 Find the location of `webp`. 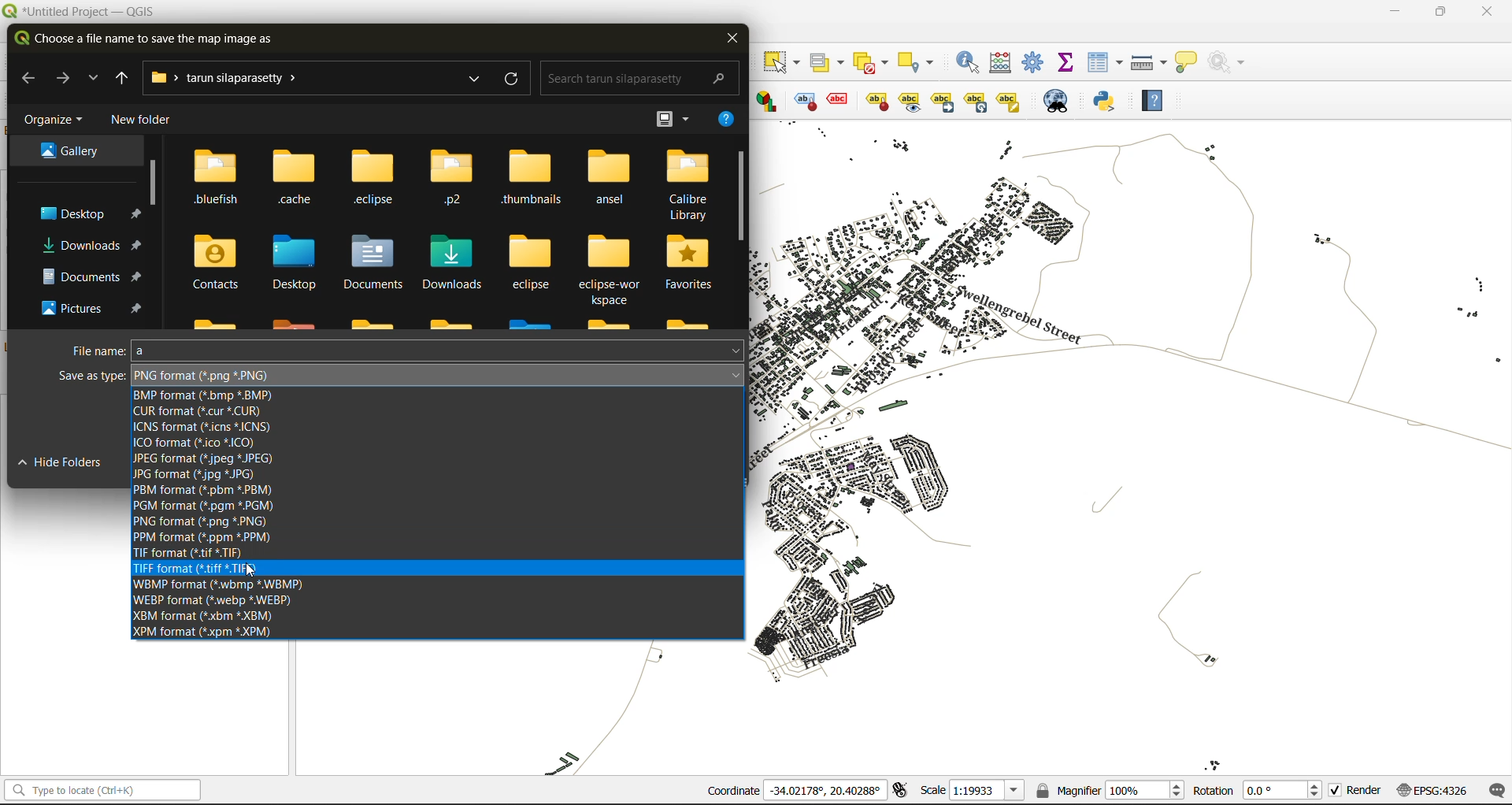

webp is located at coordinates (229, 602).